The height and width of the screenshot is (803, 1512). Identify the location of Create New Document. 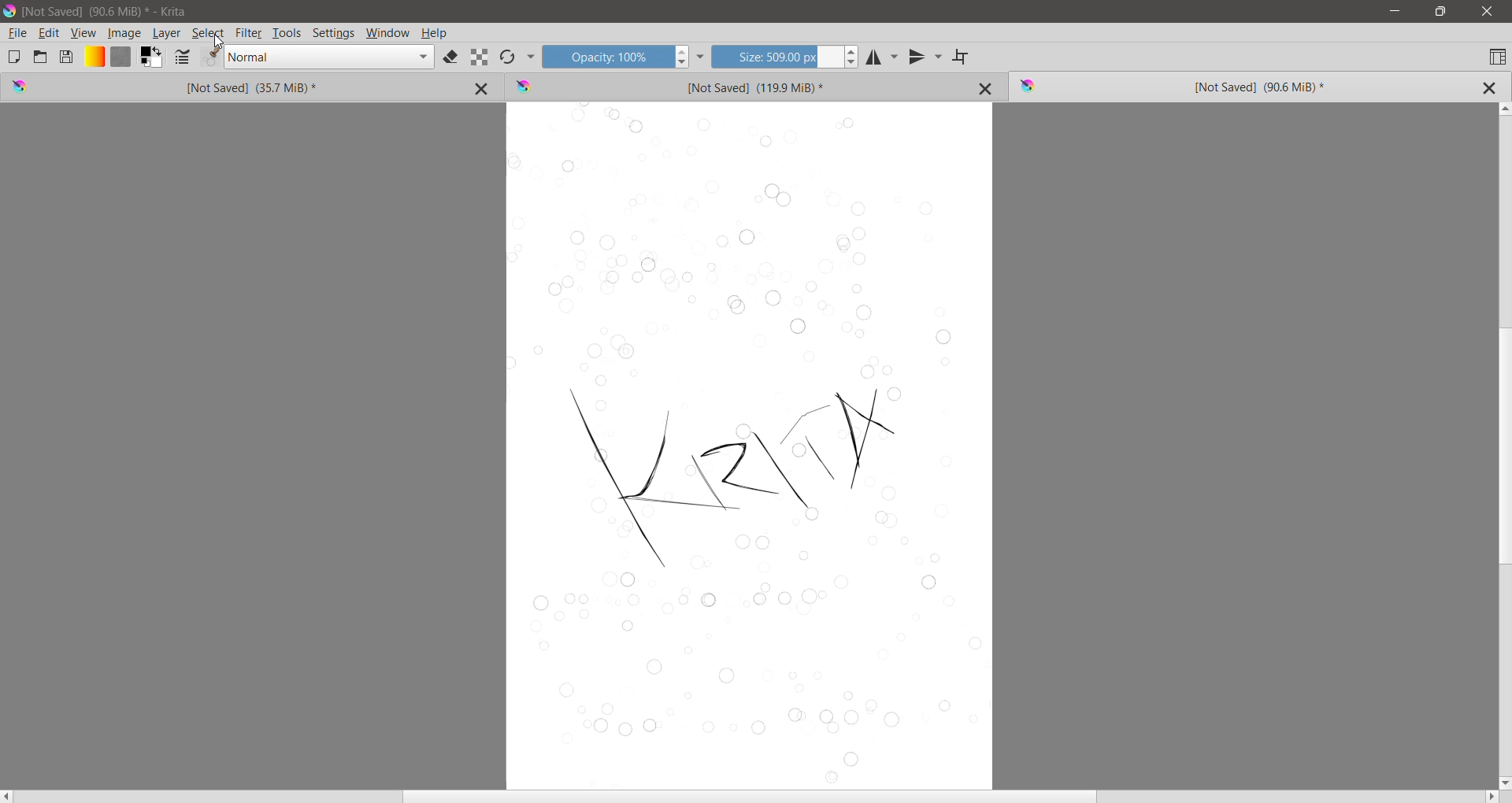
(13, 57).